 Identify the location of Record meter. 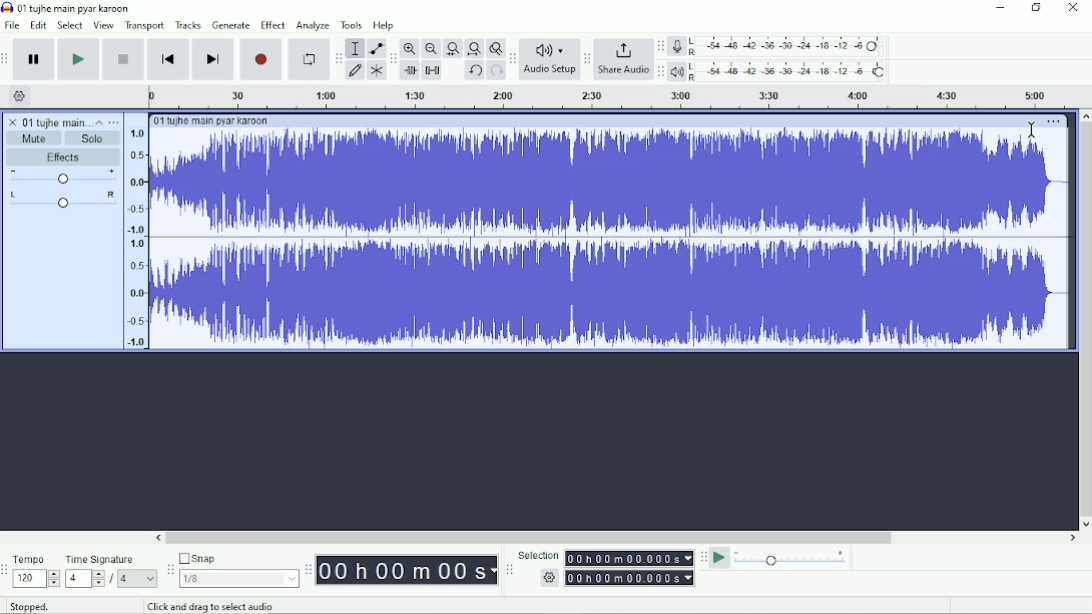
(777, 46).